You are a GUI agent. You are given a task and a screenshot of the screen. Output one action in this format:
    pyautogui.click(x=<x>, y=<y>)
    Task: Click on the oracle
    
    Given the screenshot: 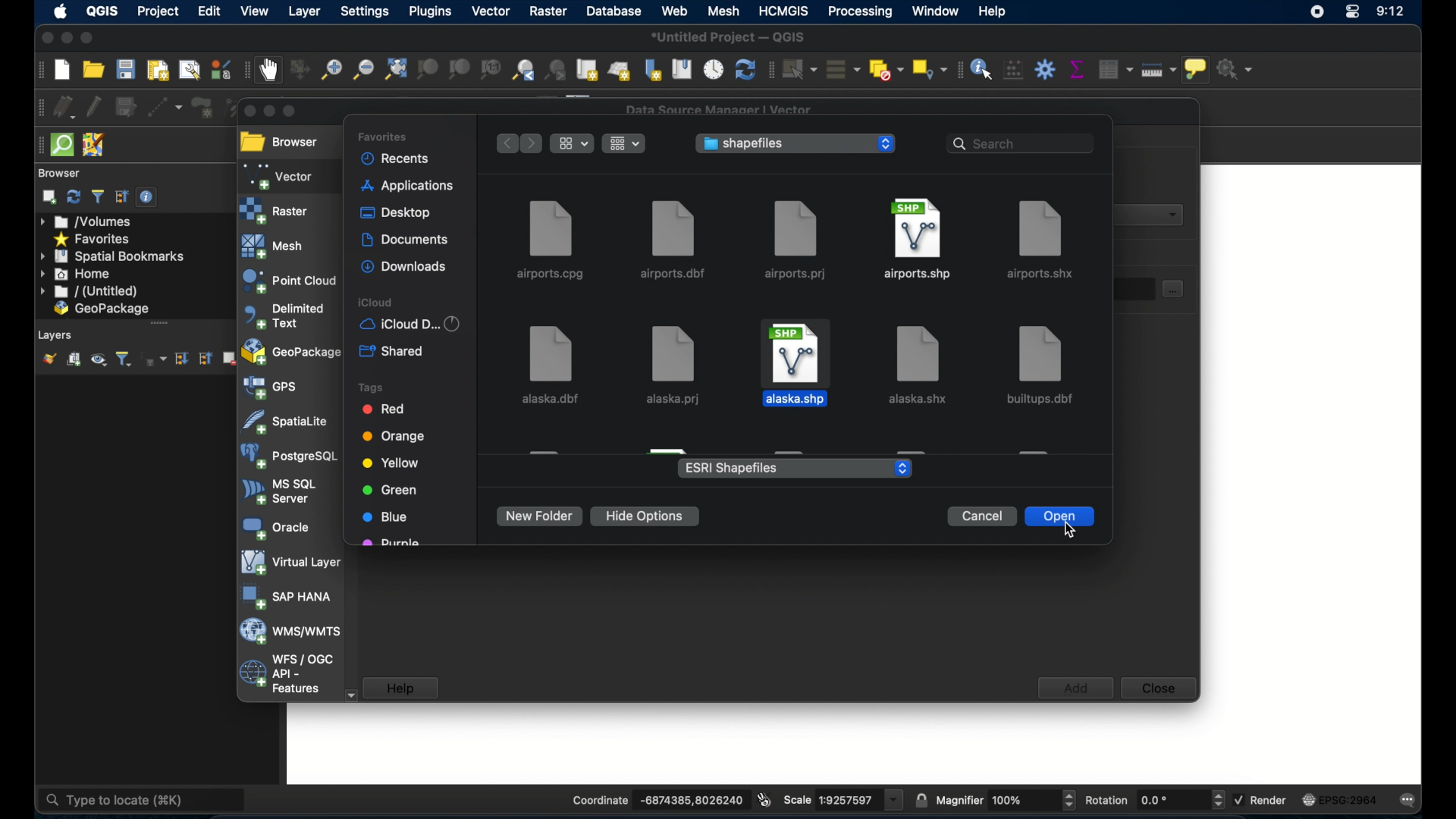 What is the action you would take?
    pyautogui.click(x=274, y=527)
    